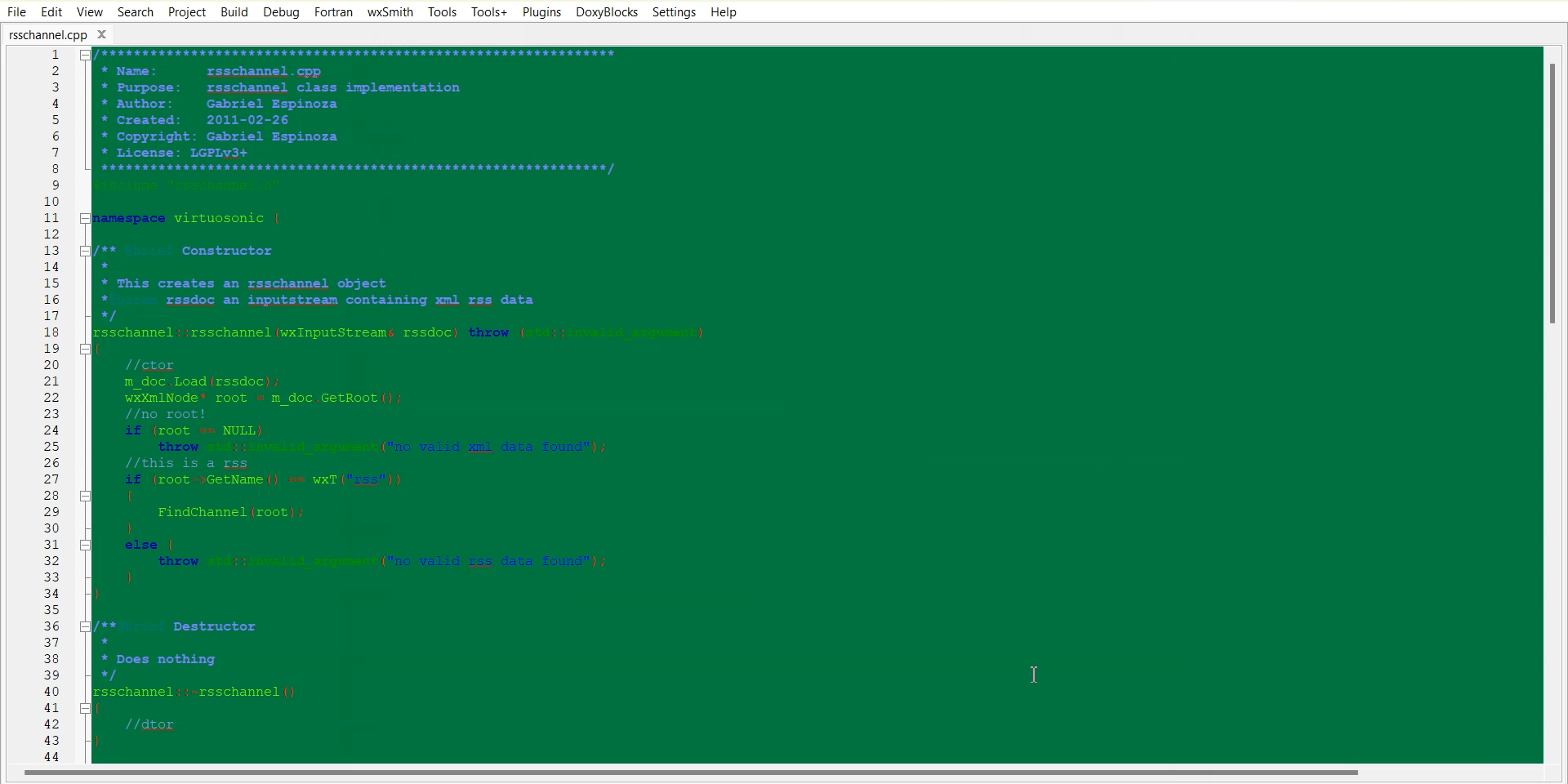 The width and height of the screenshot is (1568, 784). Describe the element at coordinates (1036, 675) in the screenshot. I see `Text Cursor` at that location.